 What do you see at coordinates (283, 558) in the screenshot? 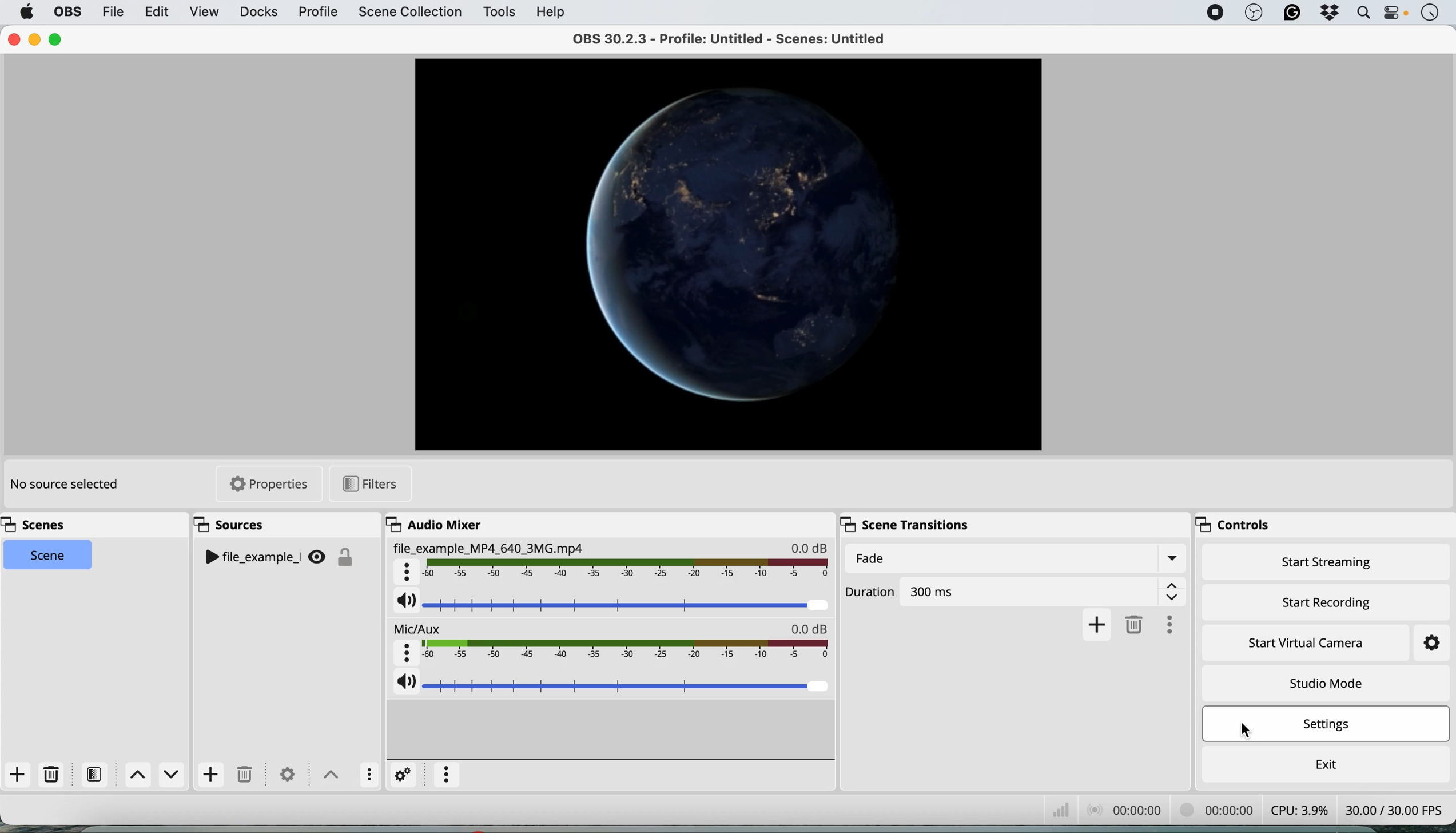
I see `current source` at bounding box center [283, 558].